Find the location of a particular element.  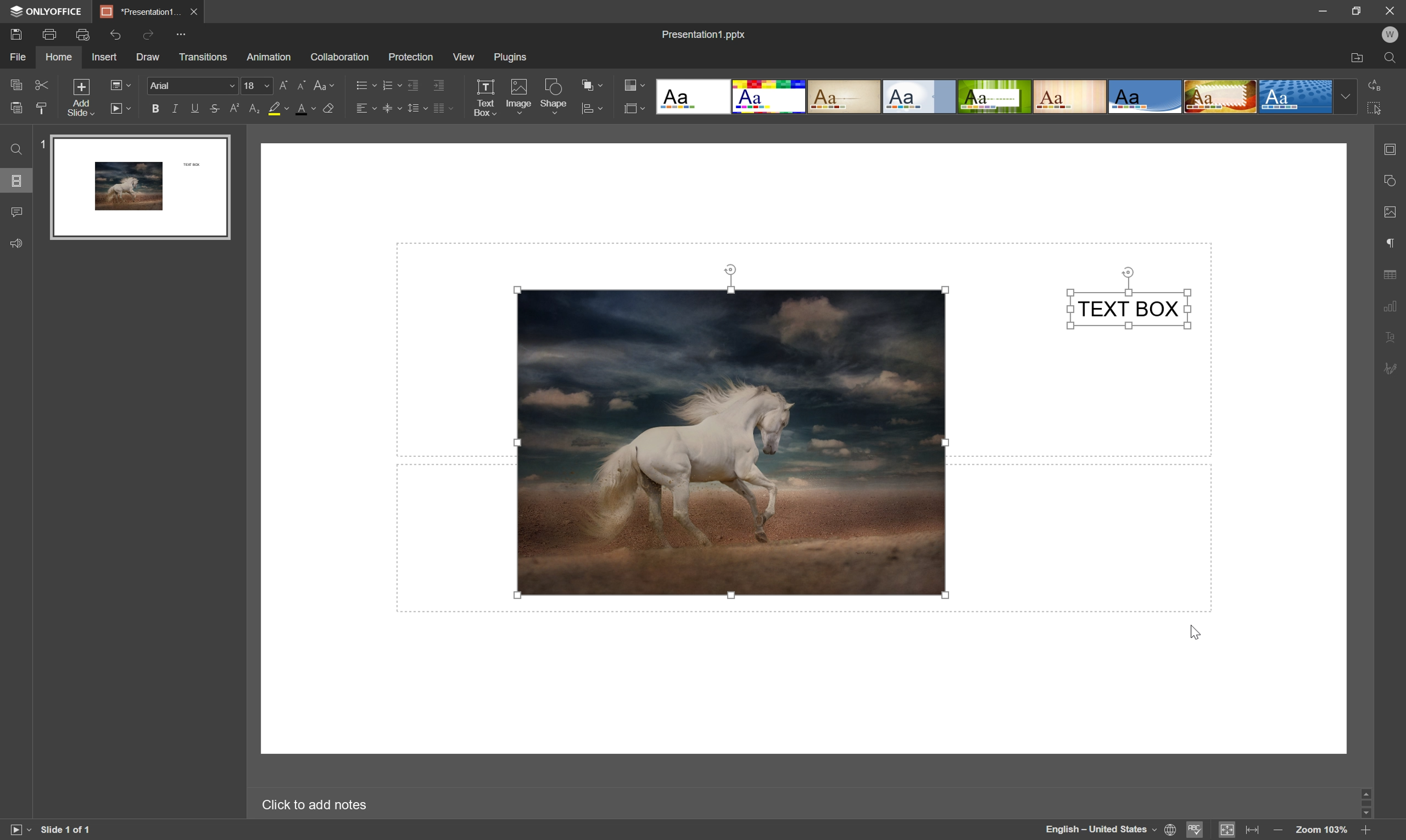

subscript is located at coordinates (254, 108).